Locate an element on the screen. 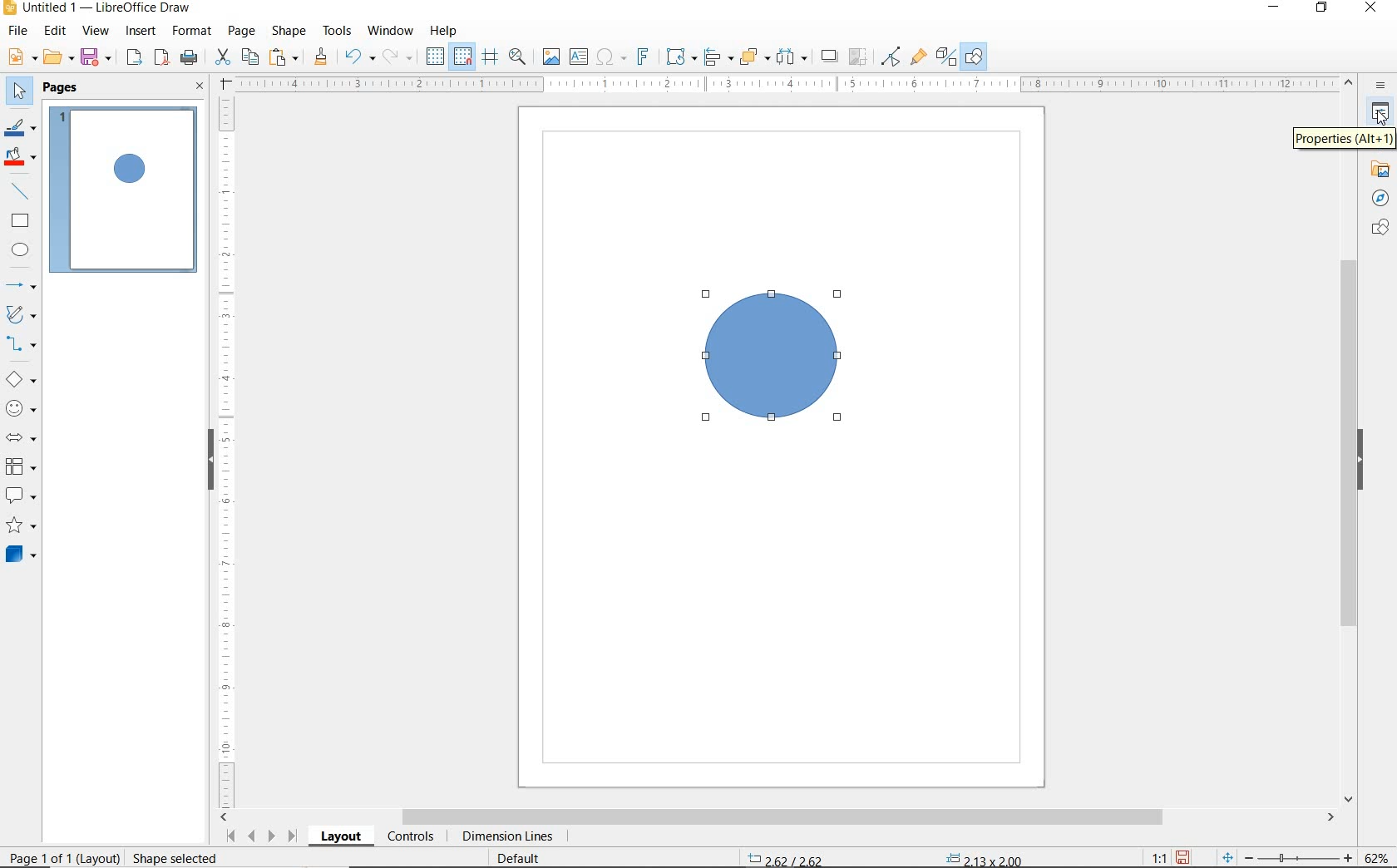  SELECT is located at coordinates (19, 93).